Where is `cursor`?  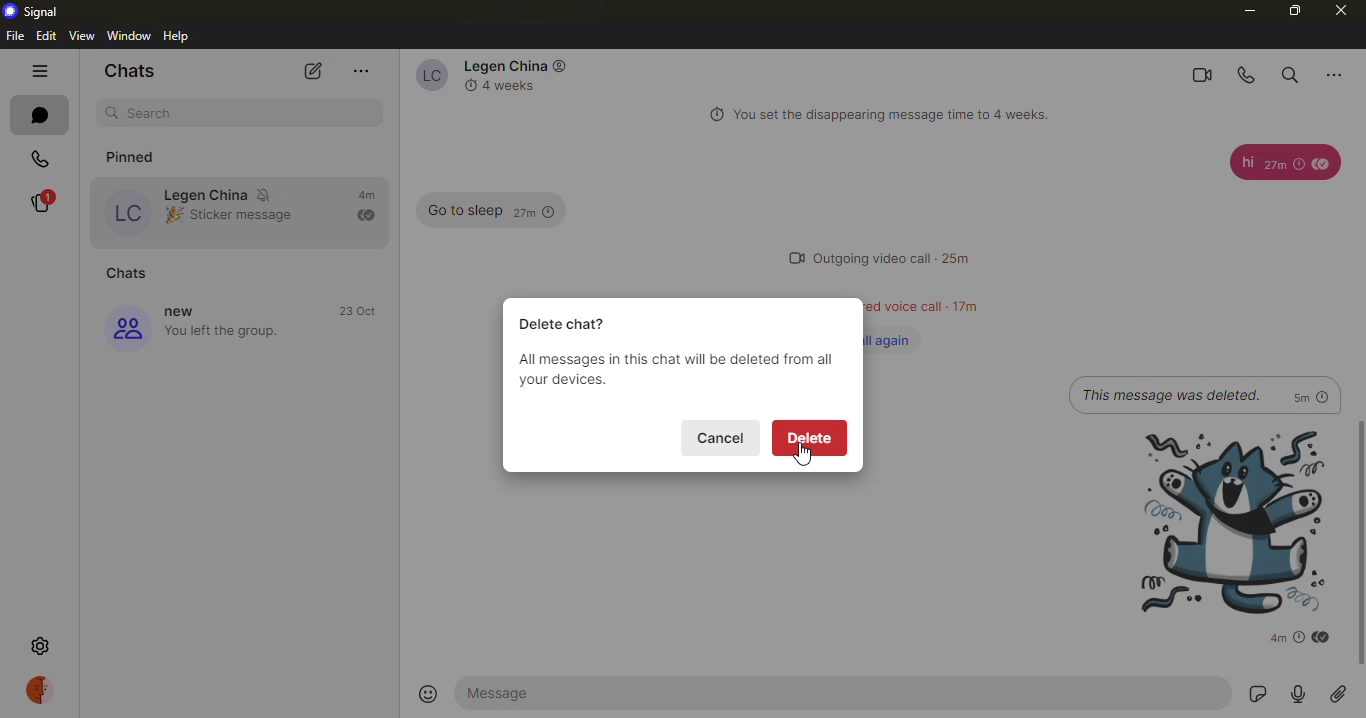 cursor is located at coordinates (804, 456).